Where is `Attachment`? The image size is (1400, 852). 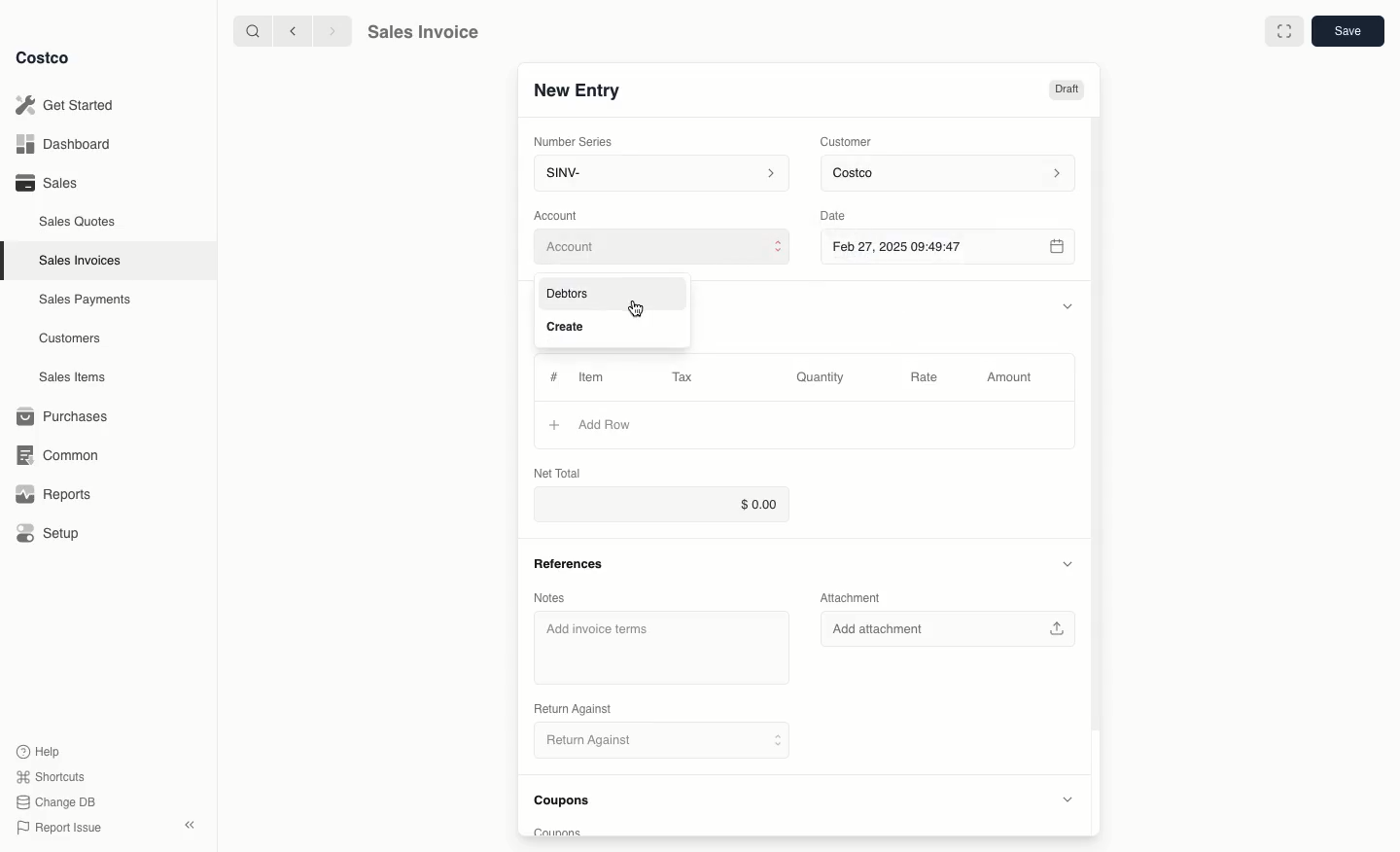 Attachment is located at coordinates (857, 598).